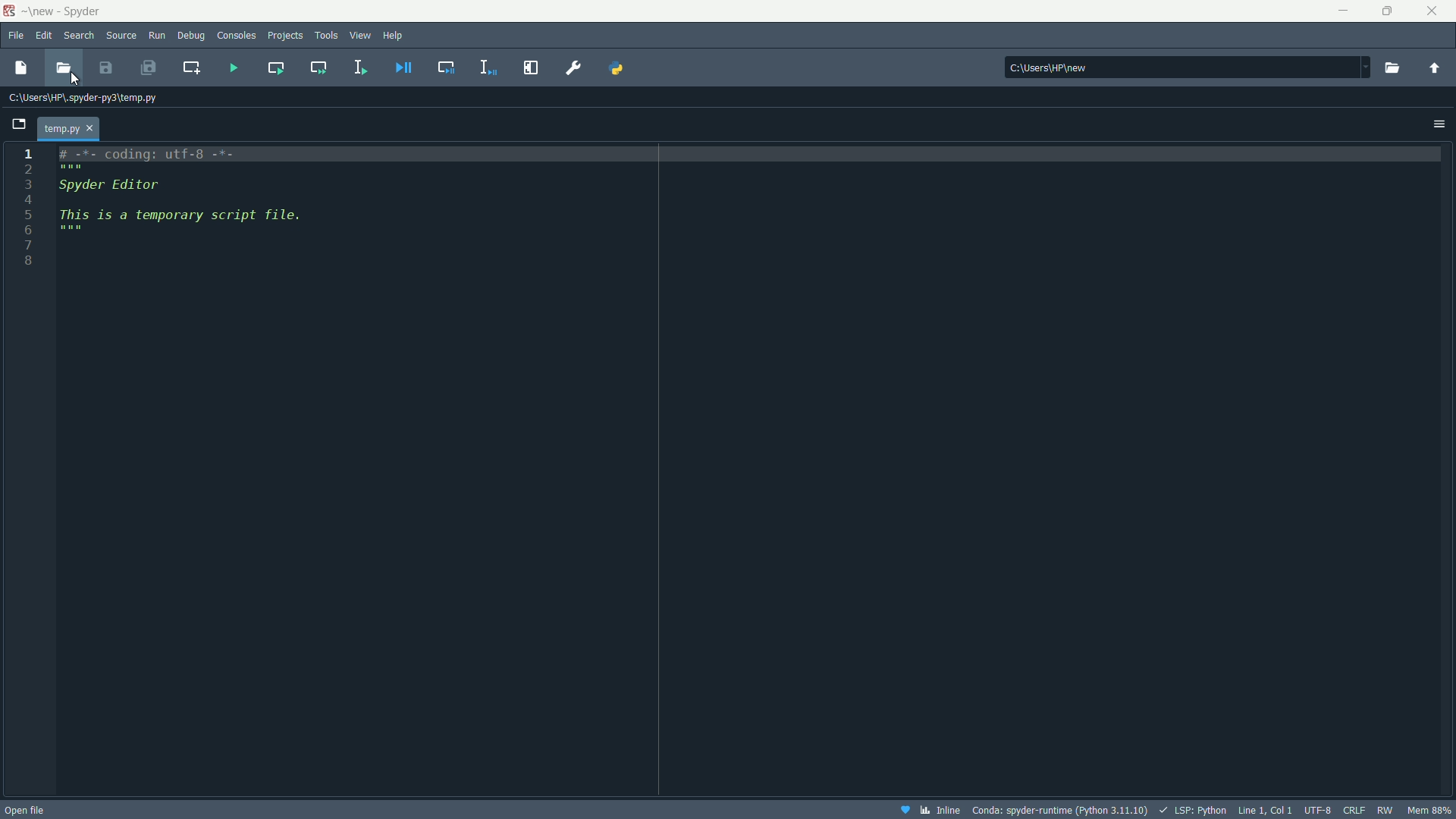  What do you see at coordinates (71, 11) in the screenshot?
I see `App name` at bounding box center [71, 11].